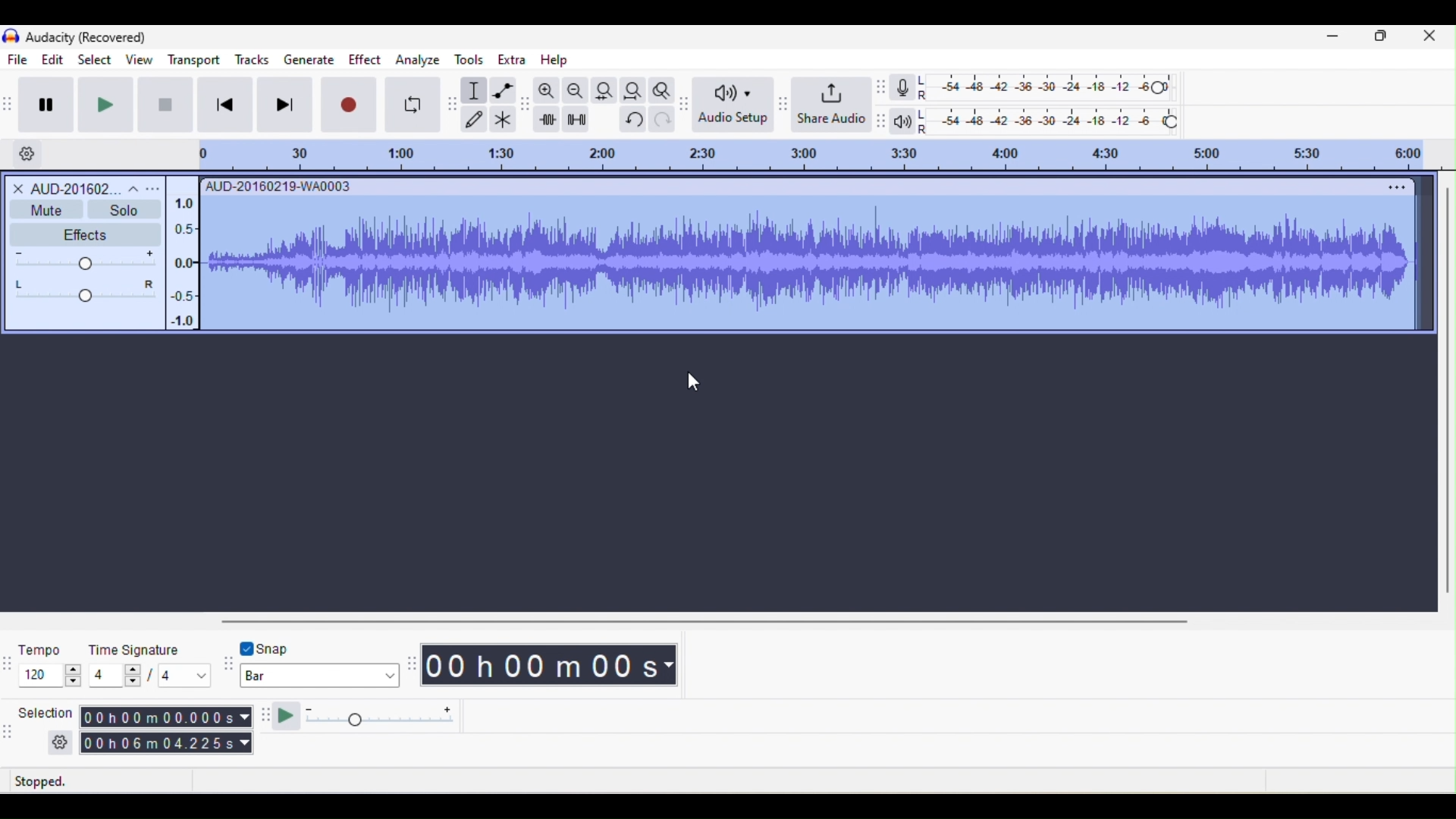 This screenshot has height=819, width=1456. I want to click on Effects, so click(78, 234).